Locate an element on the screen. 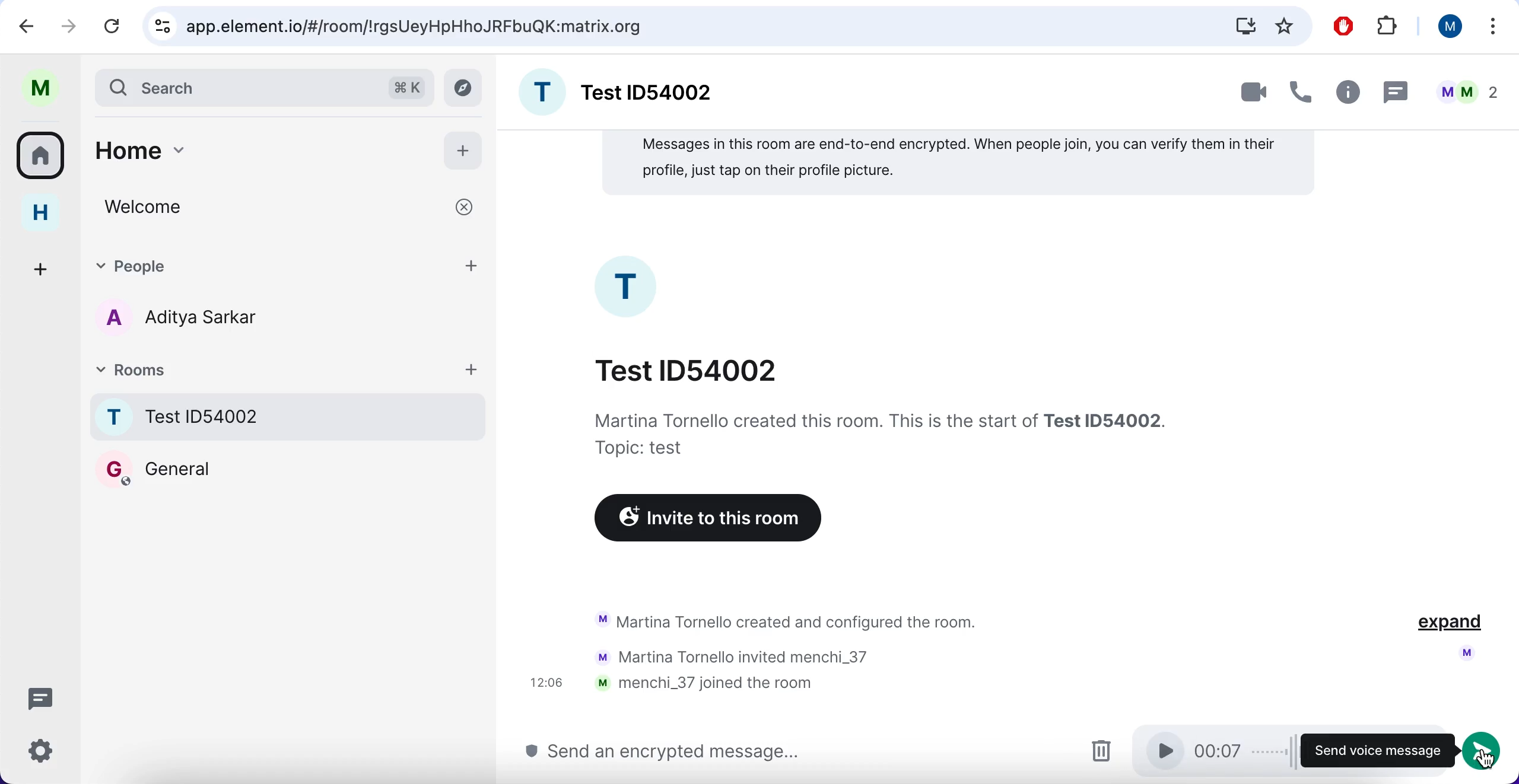 The width and height of the screenshot is (1519, 784). ad block is located at coordinates (1342, 25).